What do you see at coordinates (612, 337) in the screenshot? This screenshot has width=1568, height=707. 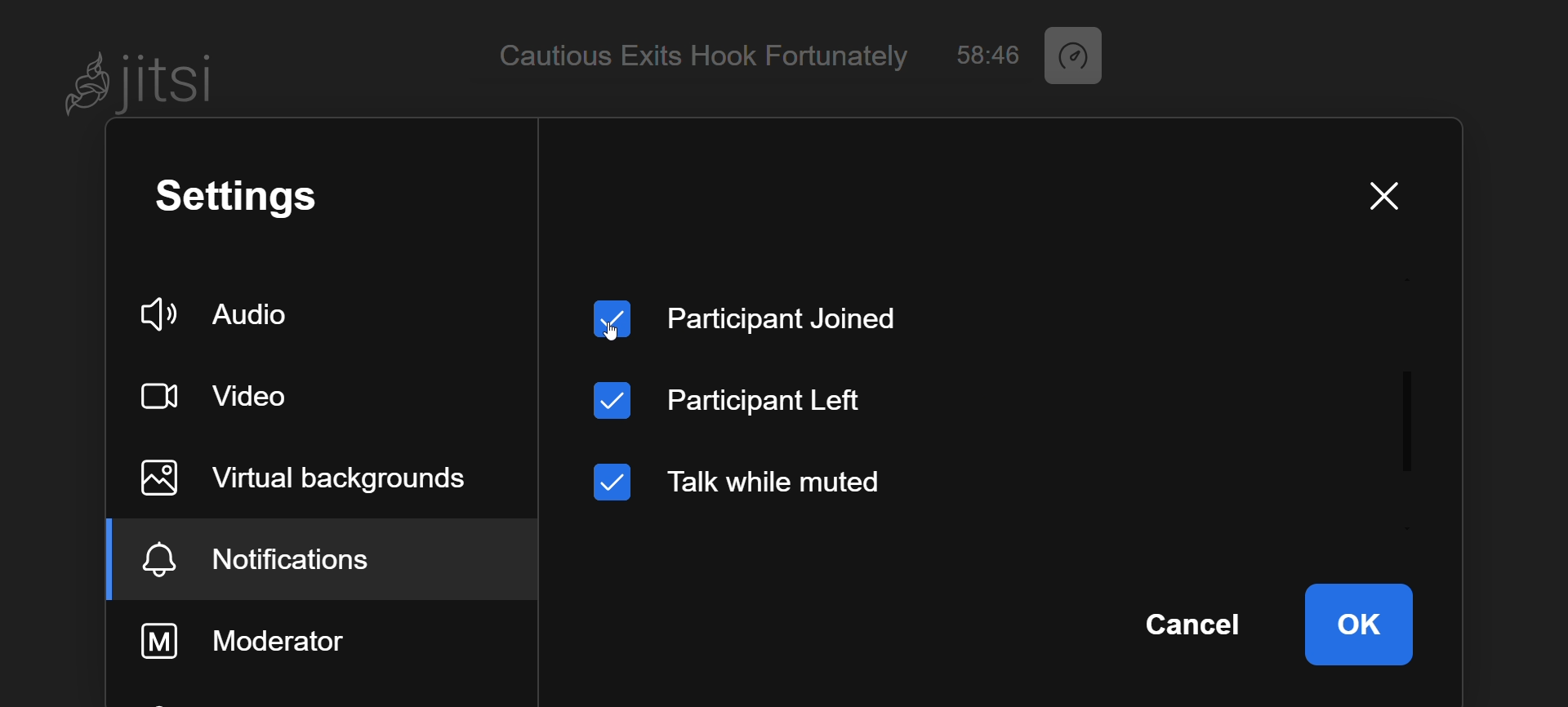 I see `cursor` at bounding box center [612, 337].